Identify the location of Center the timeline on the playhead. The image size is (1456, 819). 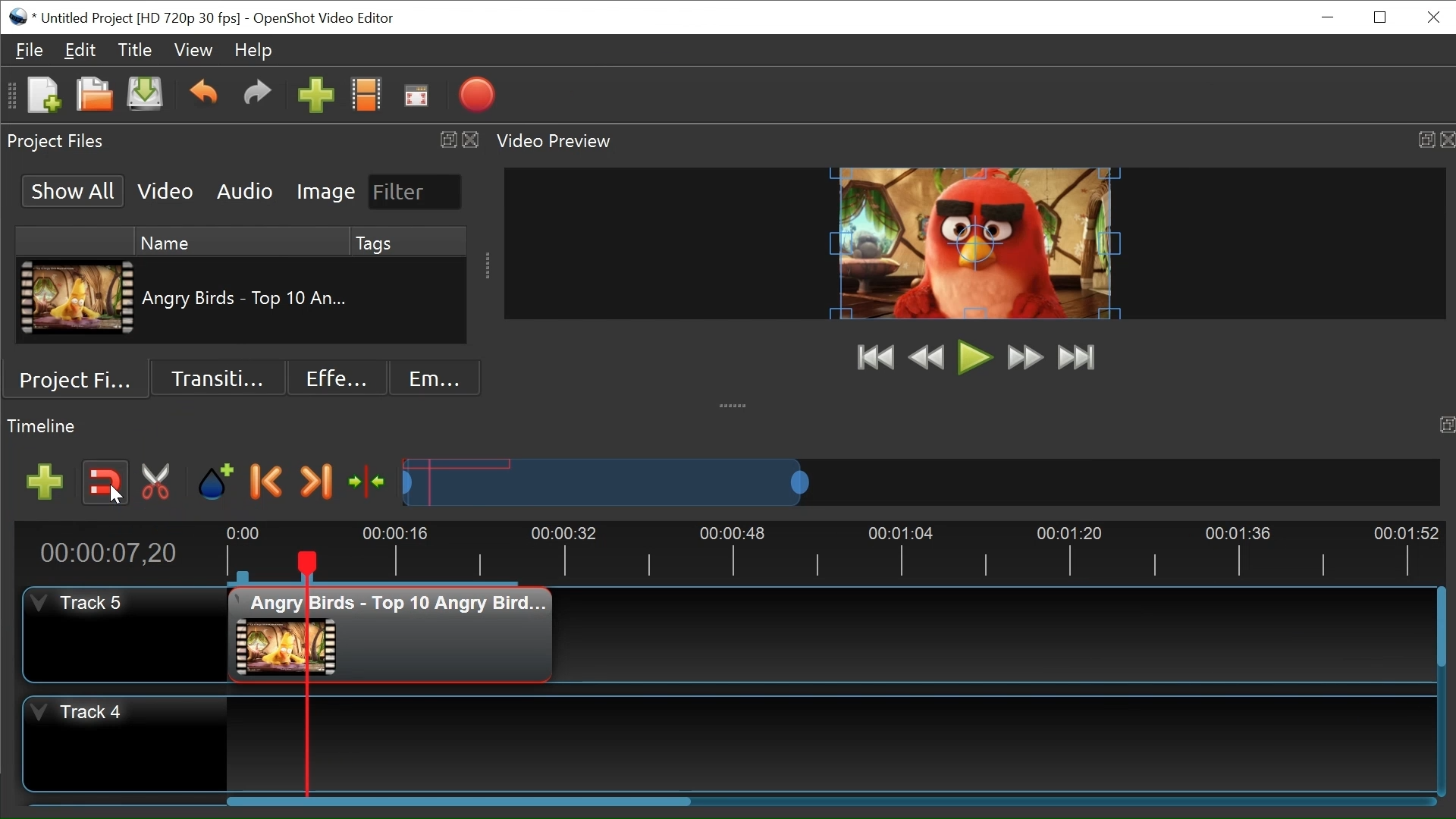
(369, 482).